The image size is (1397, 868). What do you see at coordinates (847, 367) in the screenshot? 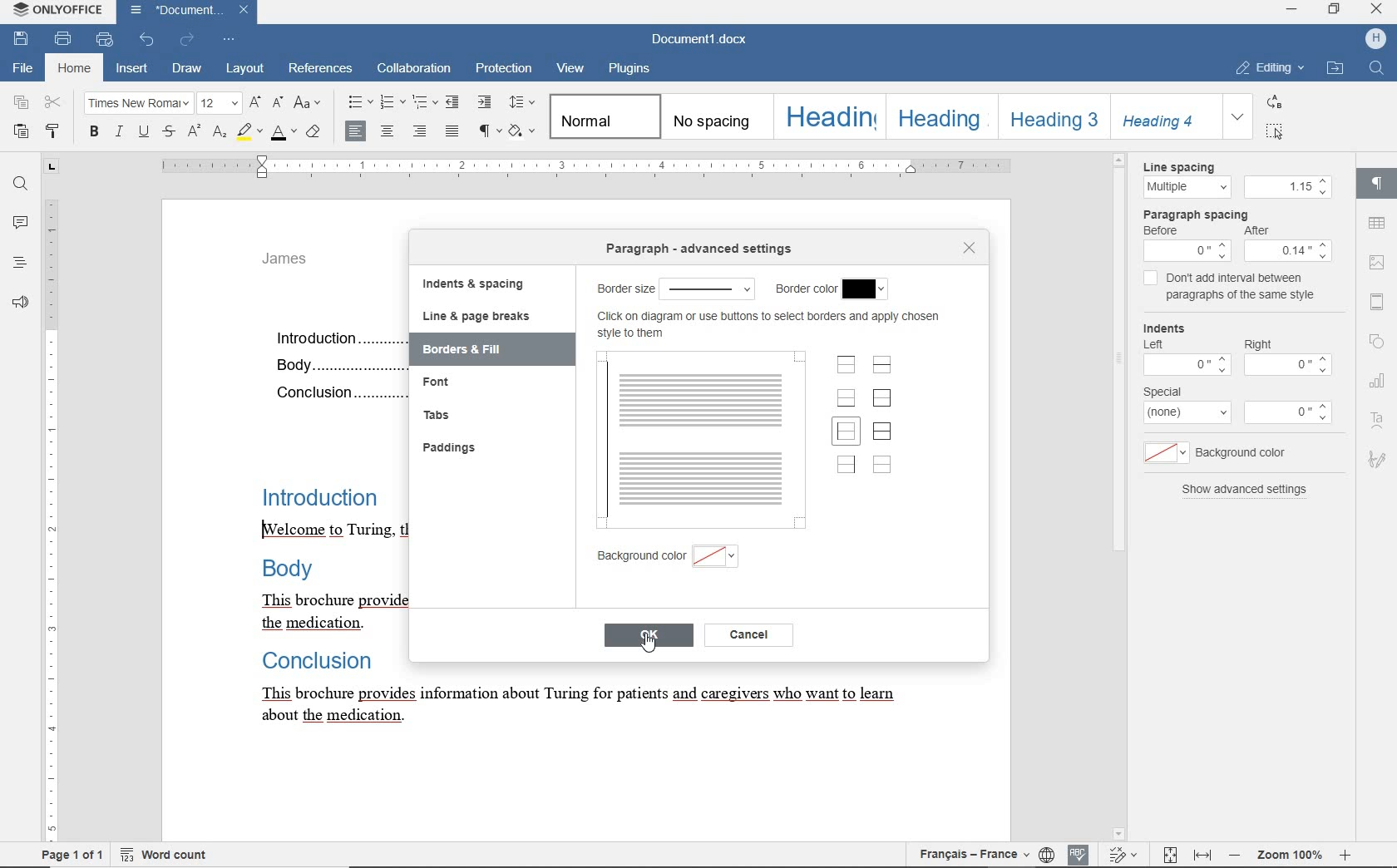
I see `set top border only` at bounding box center [847, 367].